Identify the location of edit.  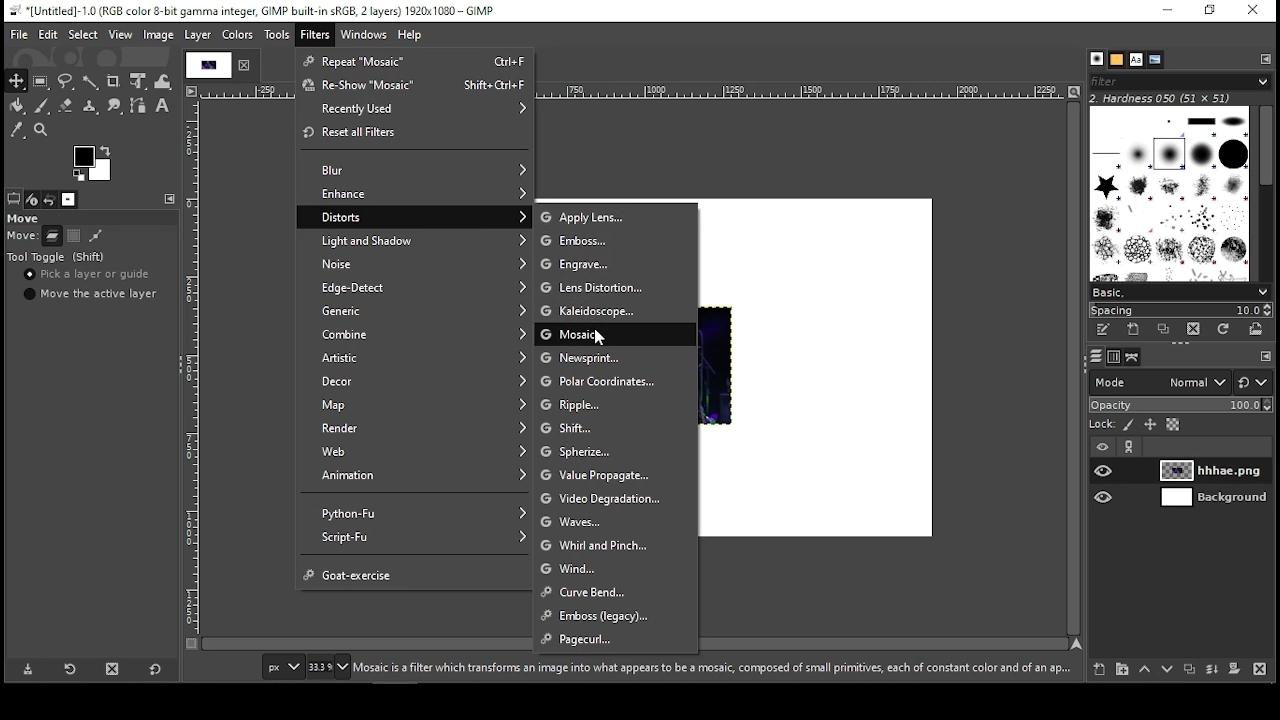
(48, 34).